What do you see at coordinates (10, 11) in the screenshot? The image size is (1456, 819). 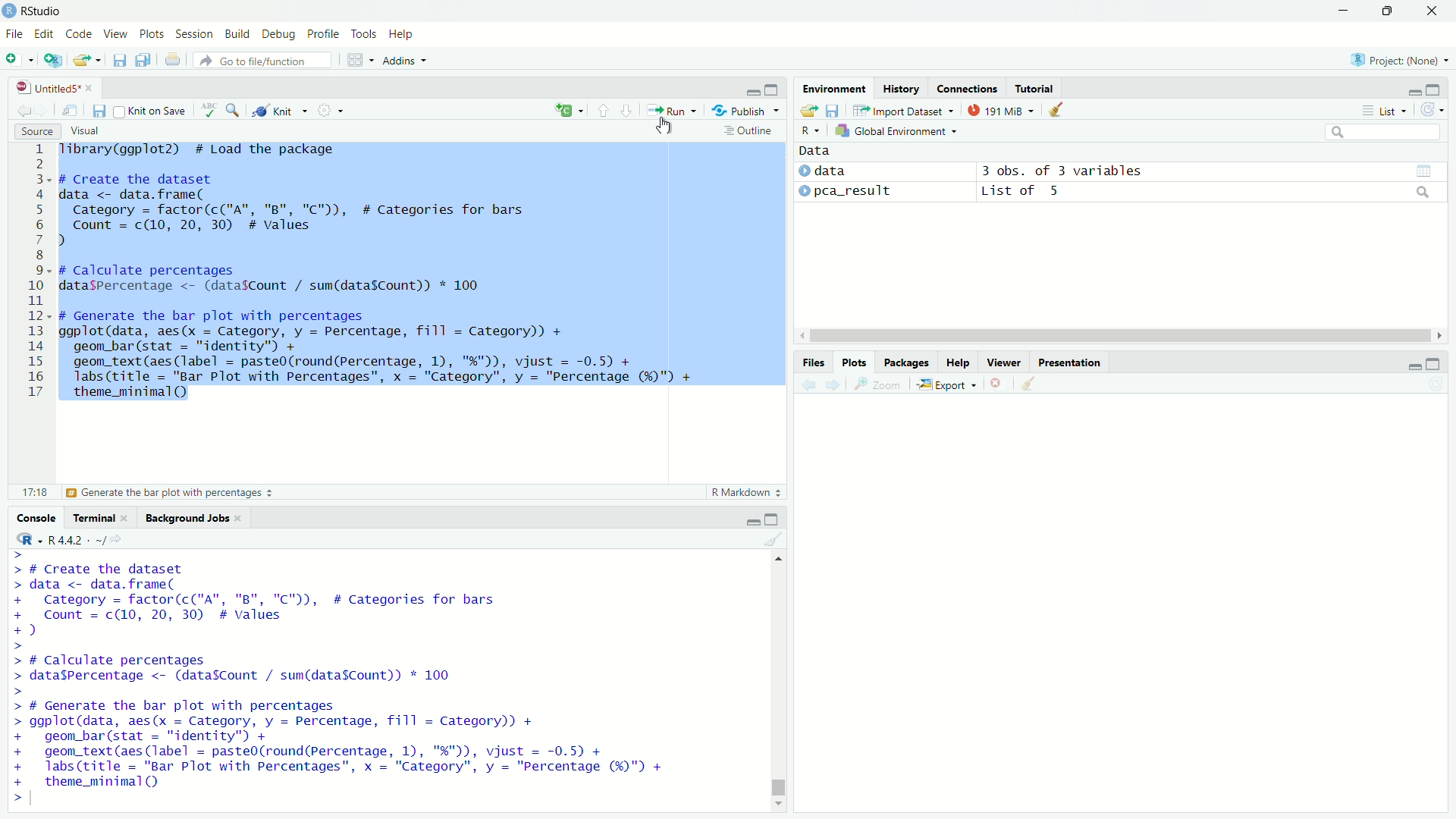 I see `logo` at bounding box center [10, 11].